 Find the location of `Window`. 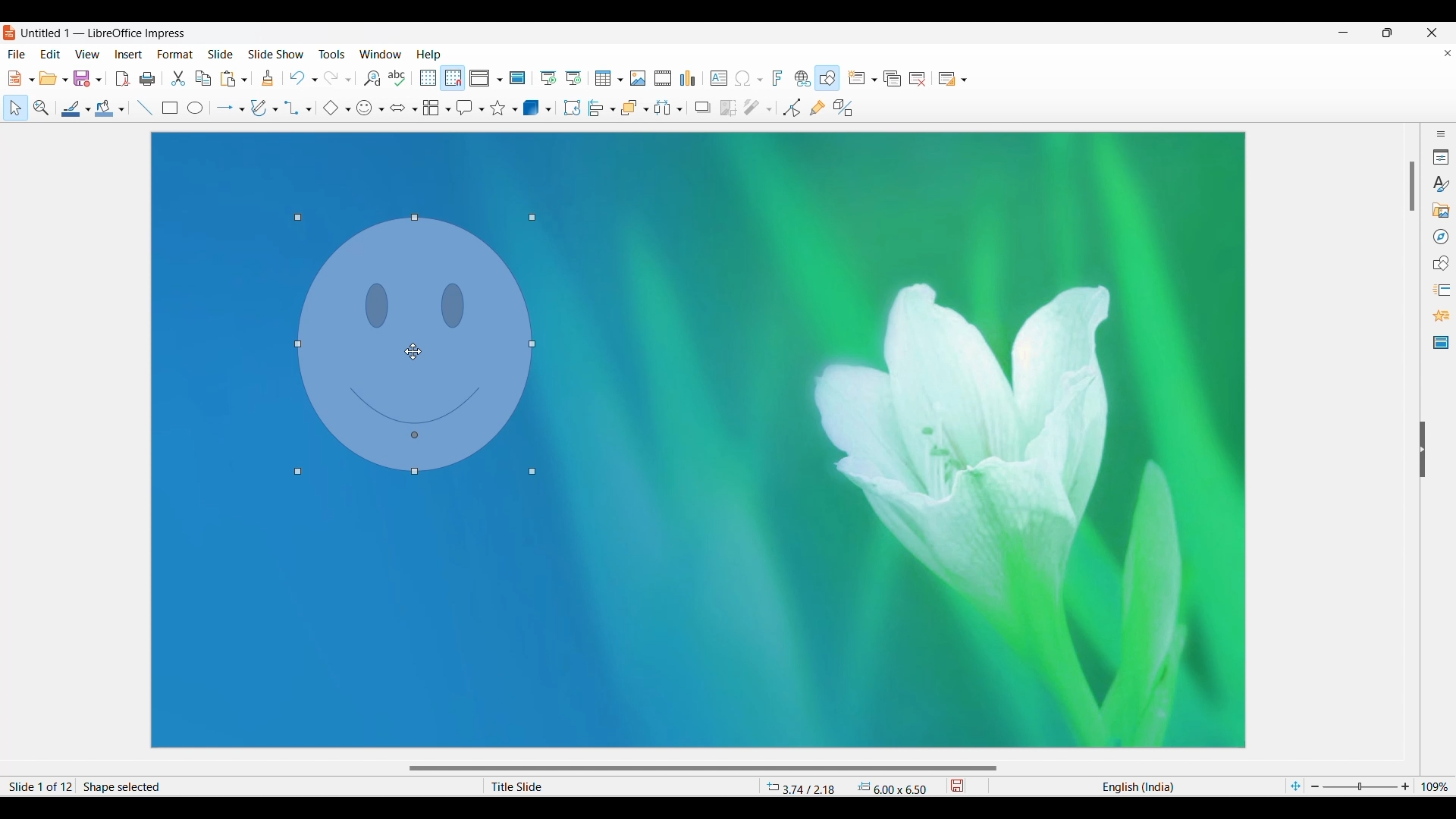

Window is located at coordinates (381, 54).